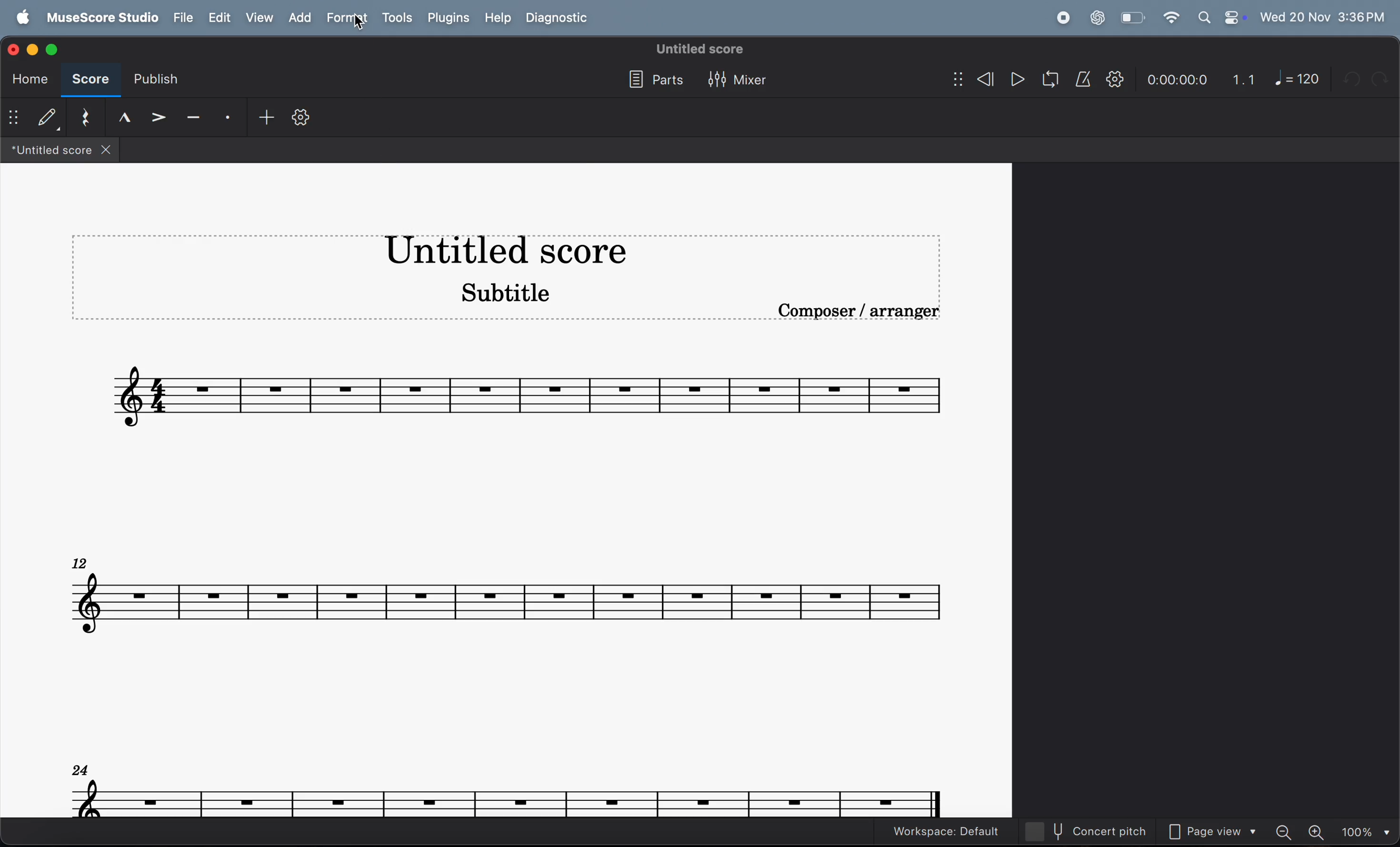 This screenshot has height=847, width=1400. I want to click on battery, so click(1131, 18).